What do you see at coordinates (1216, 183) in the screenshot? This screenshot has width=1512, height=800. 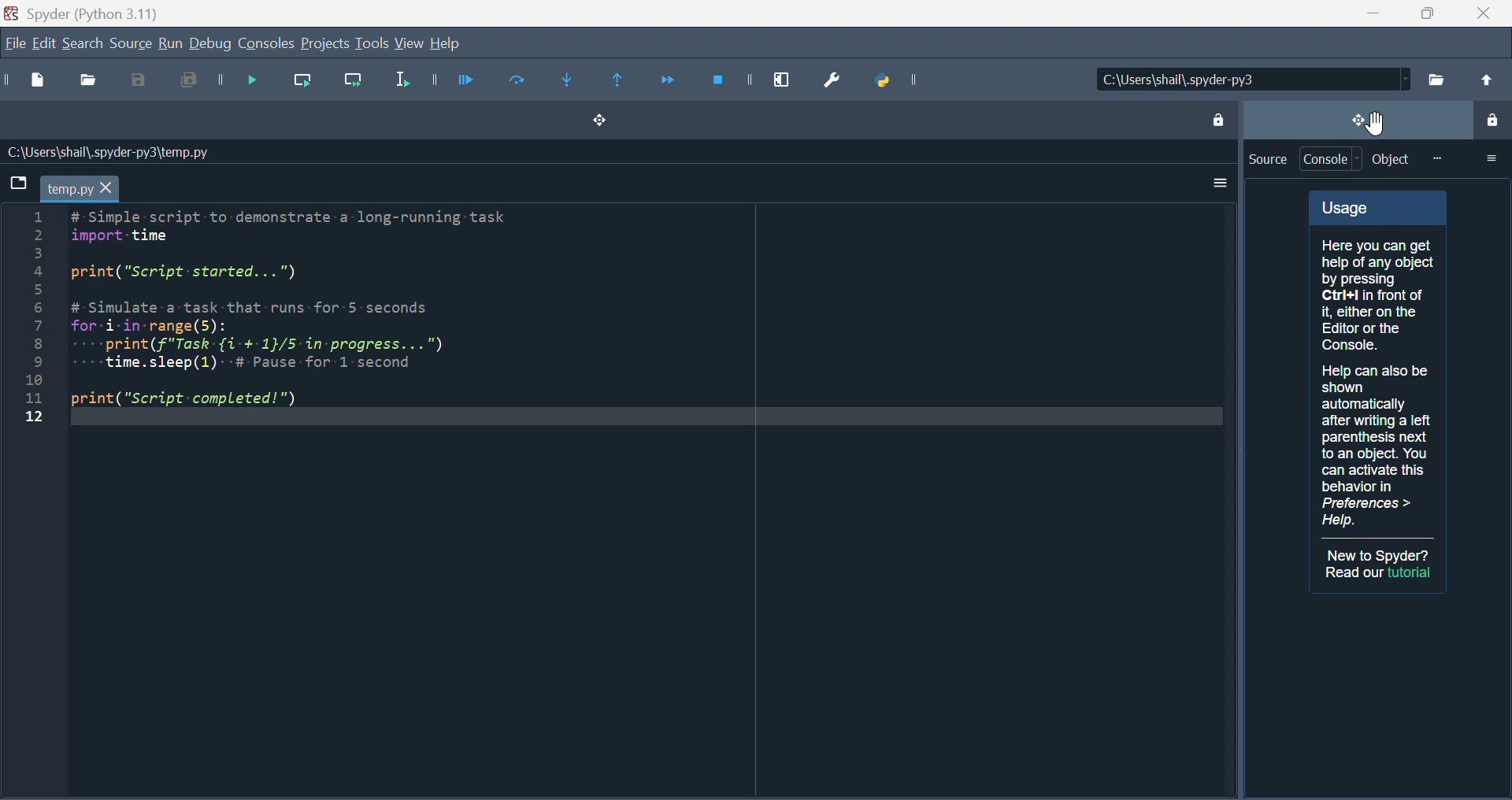 I see `More options` at bounding box center [1216, 183].